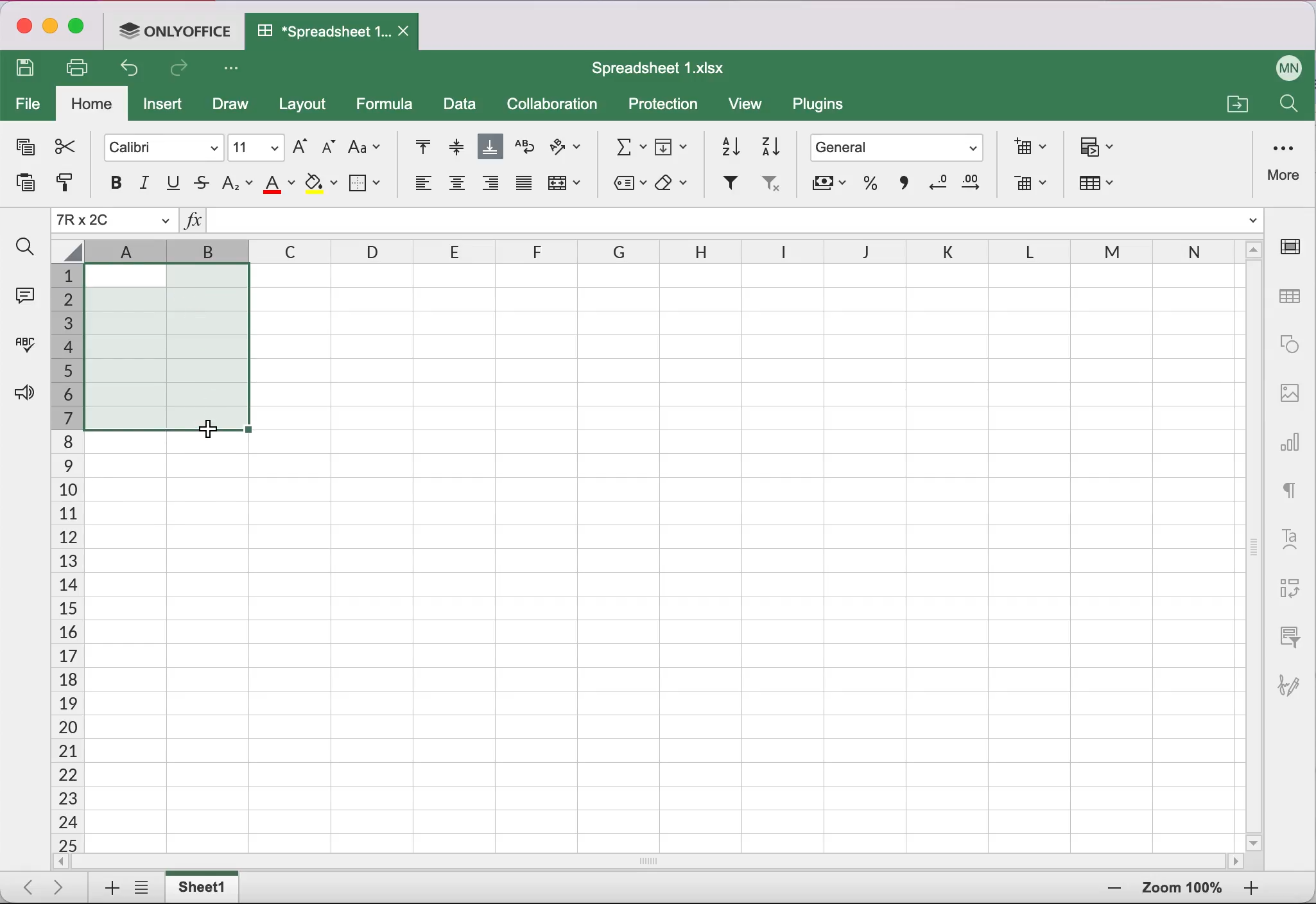 The image size is (1316, 904). What do you see at coordinates (976, 186) in the screenshot?
I see `increase decimal` at bounding box center [976, 186].